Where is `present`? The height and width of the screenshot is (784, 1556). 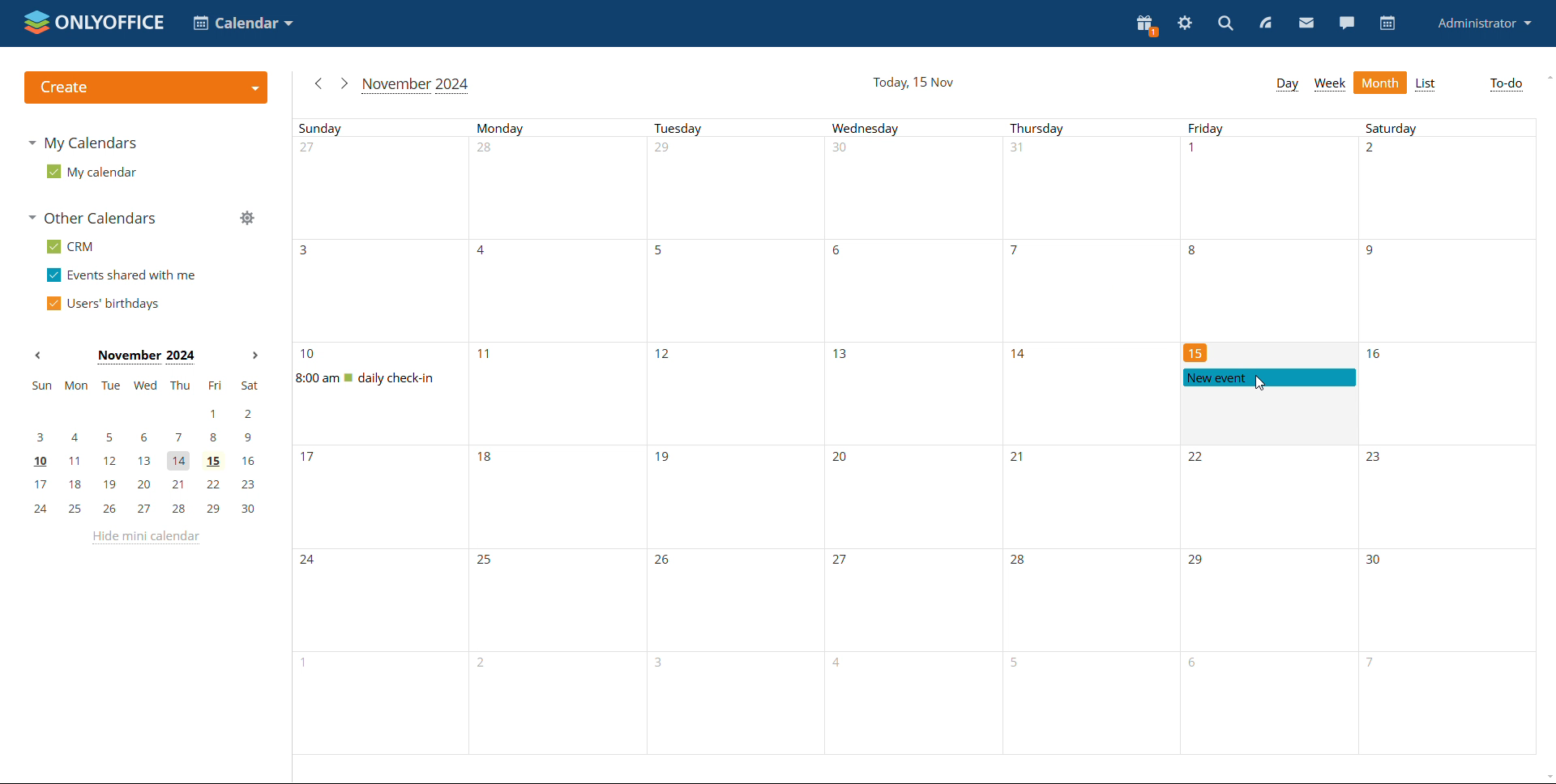
present is located at coordinates (1147, 25).